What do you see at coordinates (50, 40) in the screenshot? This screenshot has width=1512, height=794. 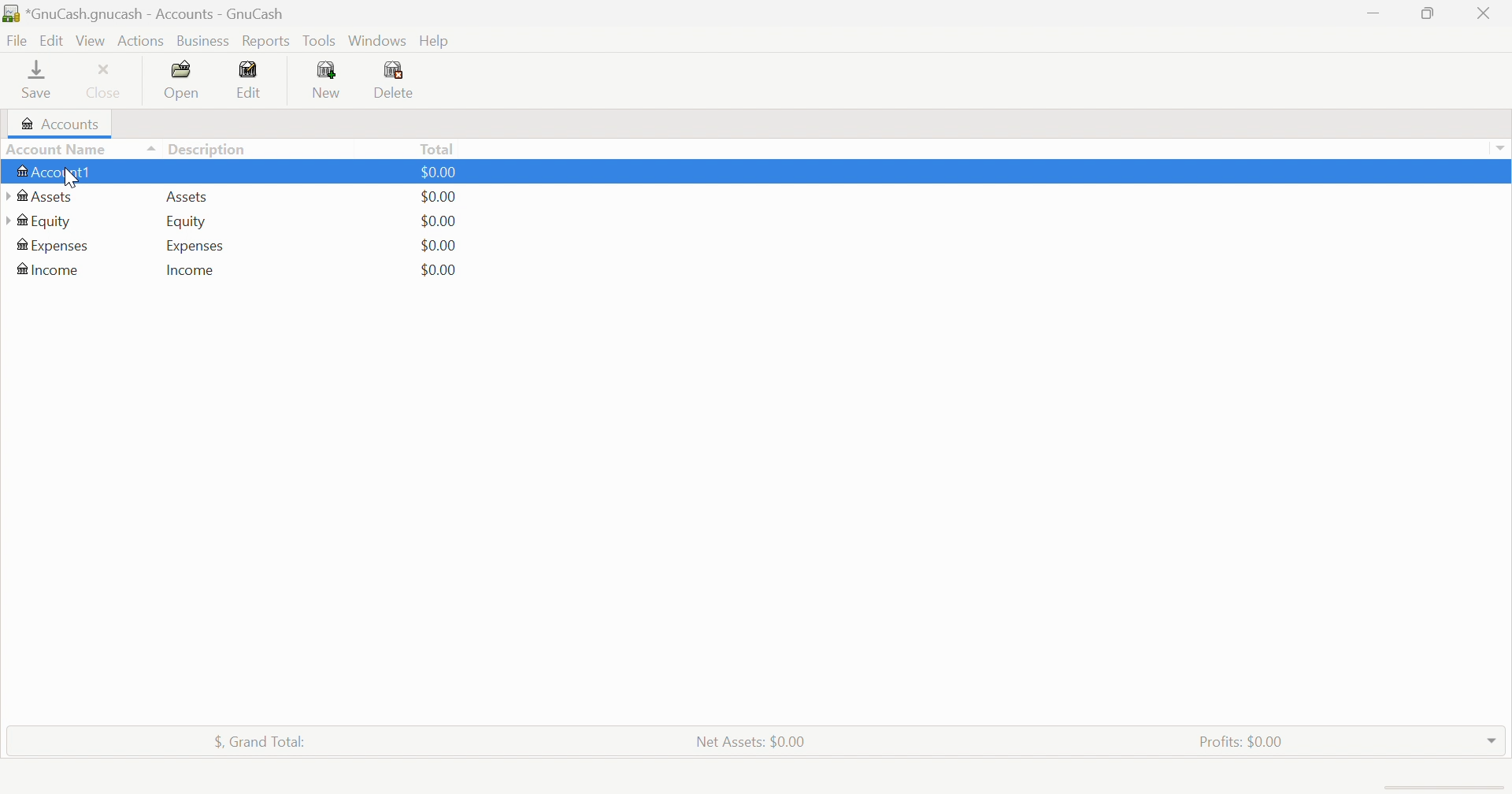 I see `Edit` at bounding box center [50, 40].